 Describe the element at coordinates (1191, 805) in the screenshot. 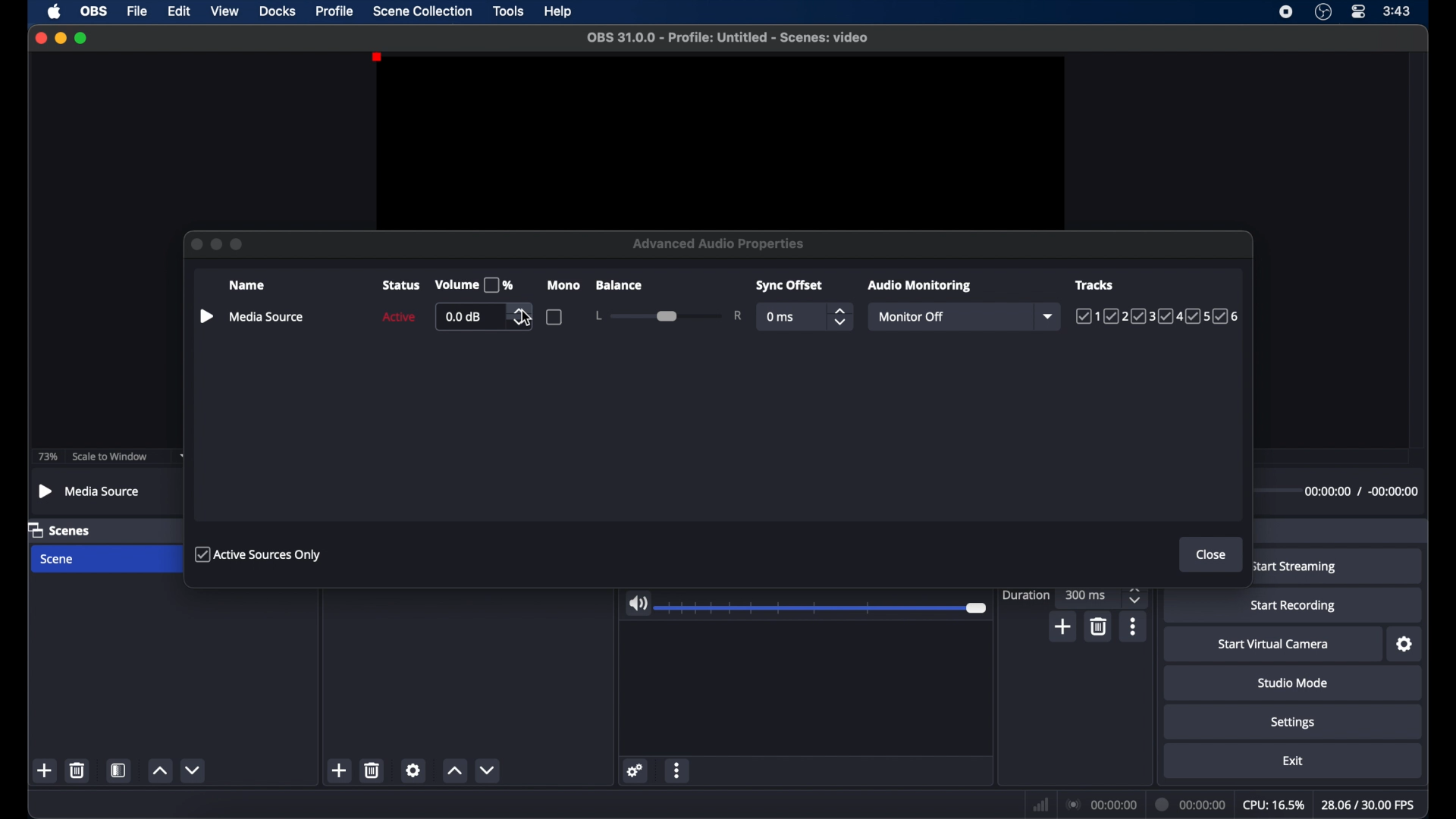

I see `00:00:00` at that location.